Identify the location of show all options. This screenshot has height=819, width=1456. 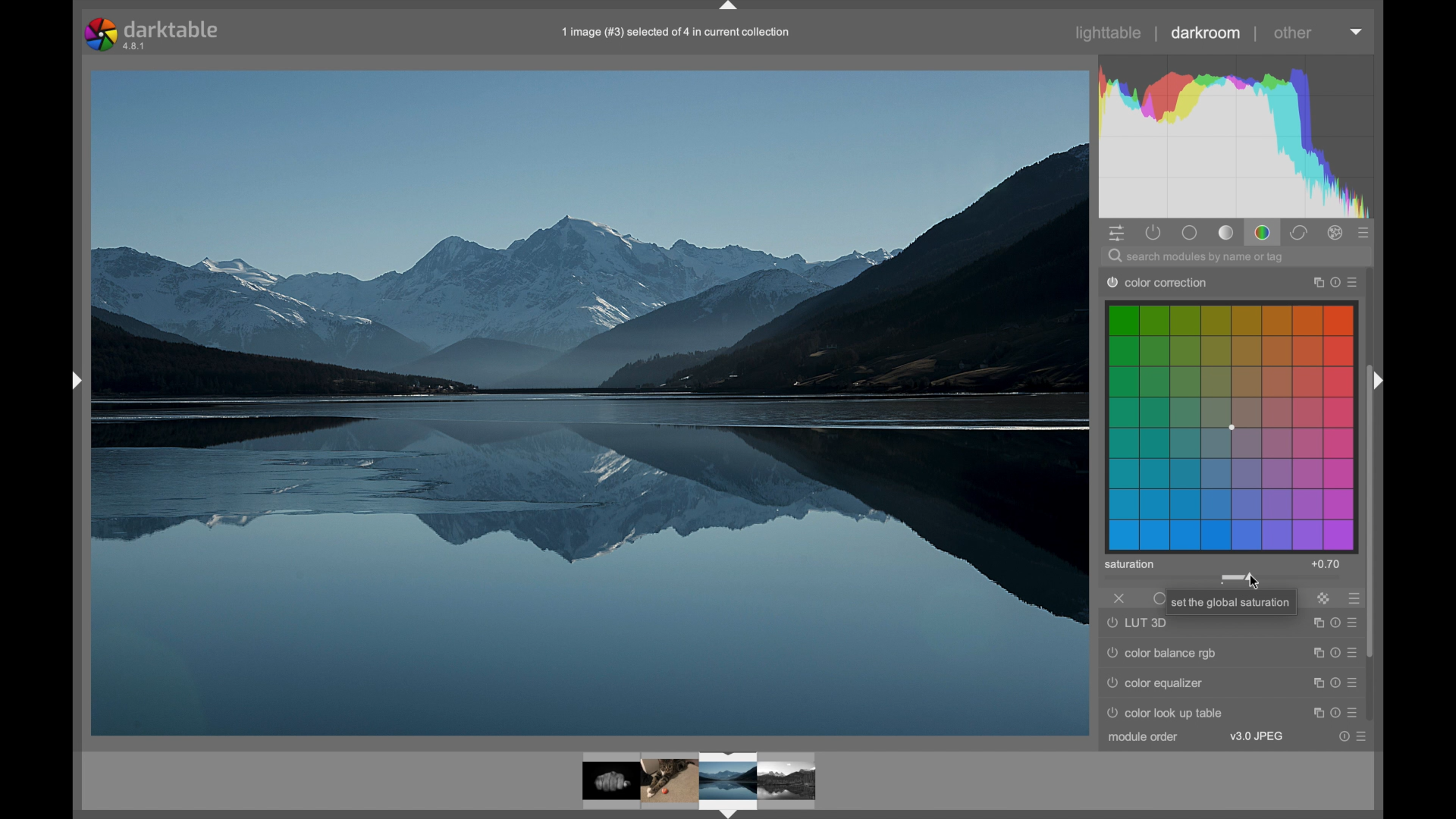
(1365, 233).